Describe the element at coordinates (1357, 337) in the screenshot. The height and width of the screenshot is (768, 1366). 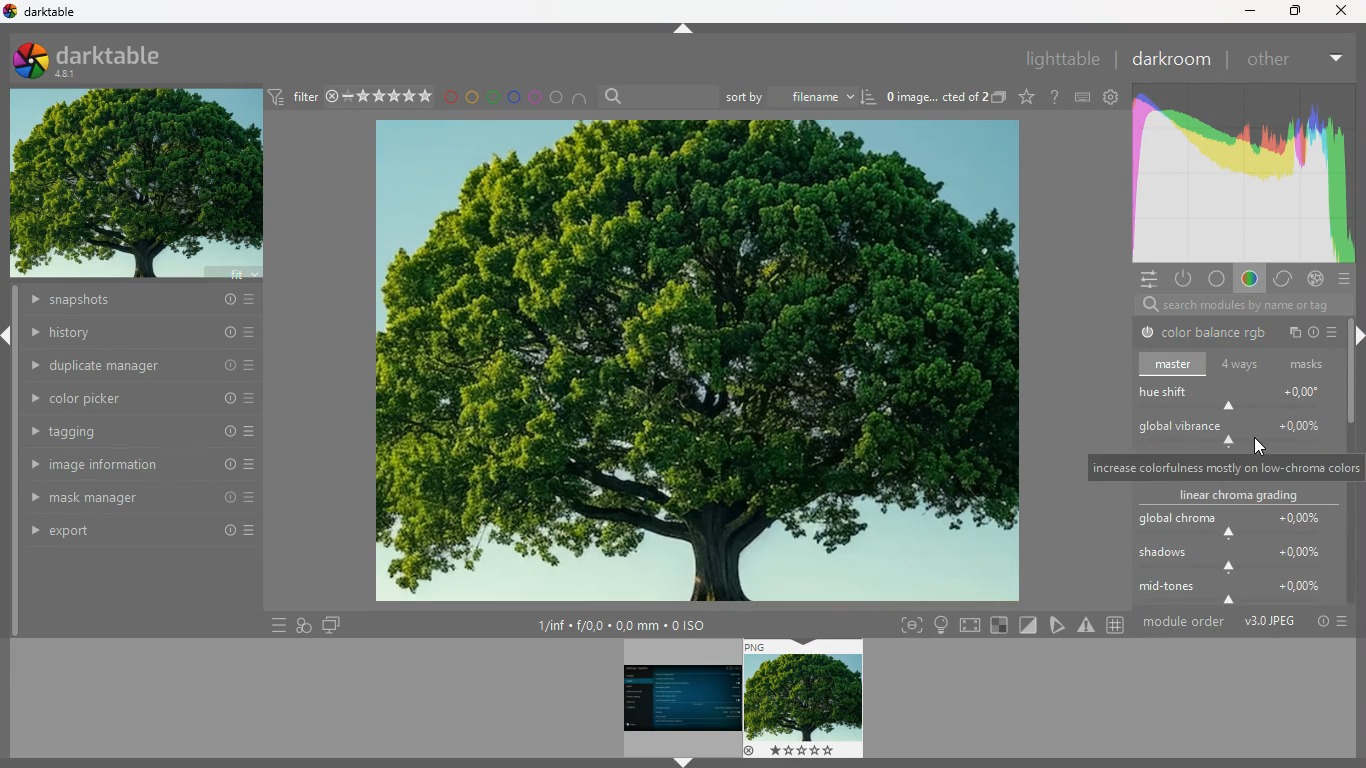
I see `arrow` at that location.